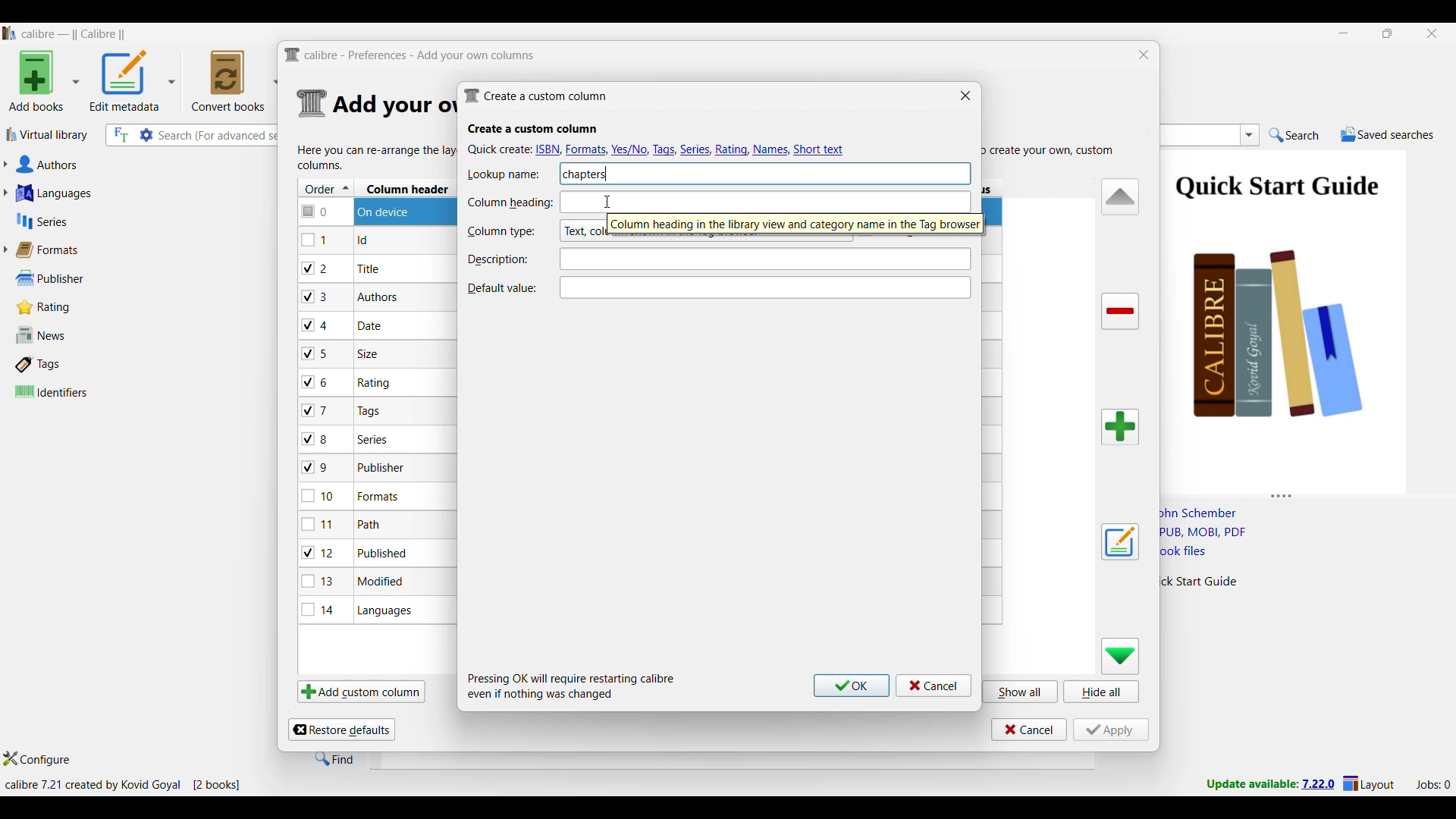 This screenshot has width=1456, height=819. Describe the element at coordinates (1389, 33) in the screenshot. I see `Show interface in a smaller tab` at that location.